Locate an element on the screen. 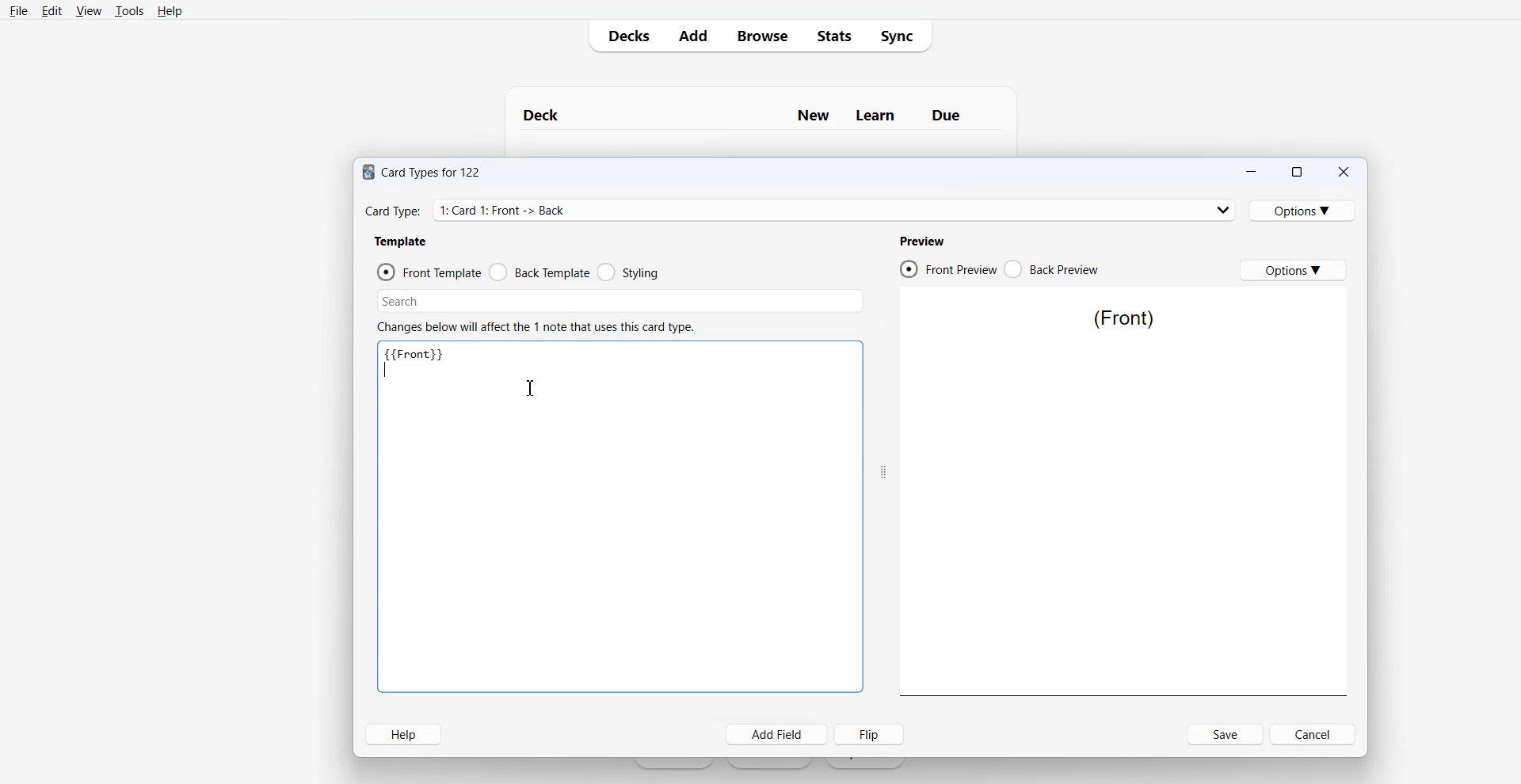  Decks is located at coordinates (625, 36).